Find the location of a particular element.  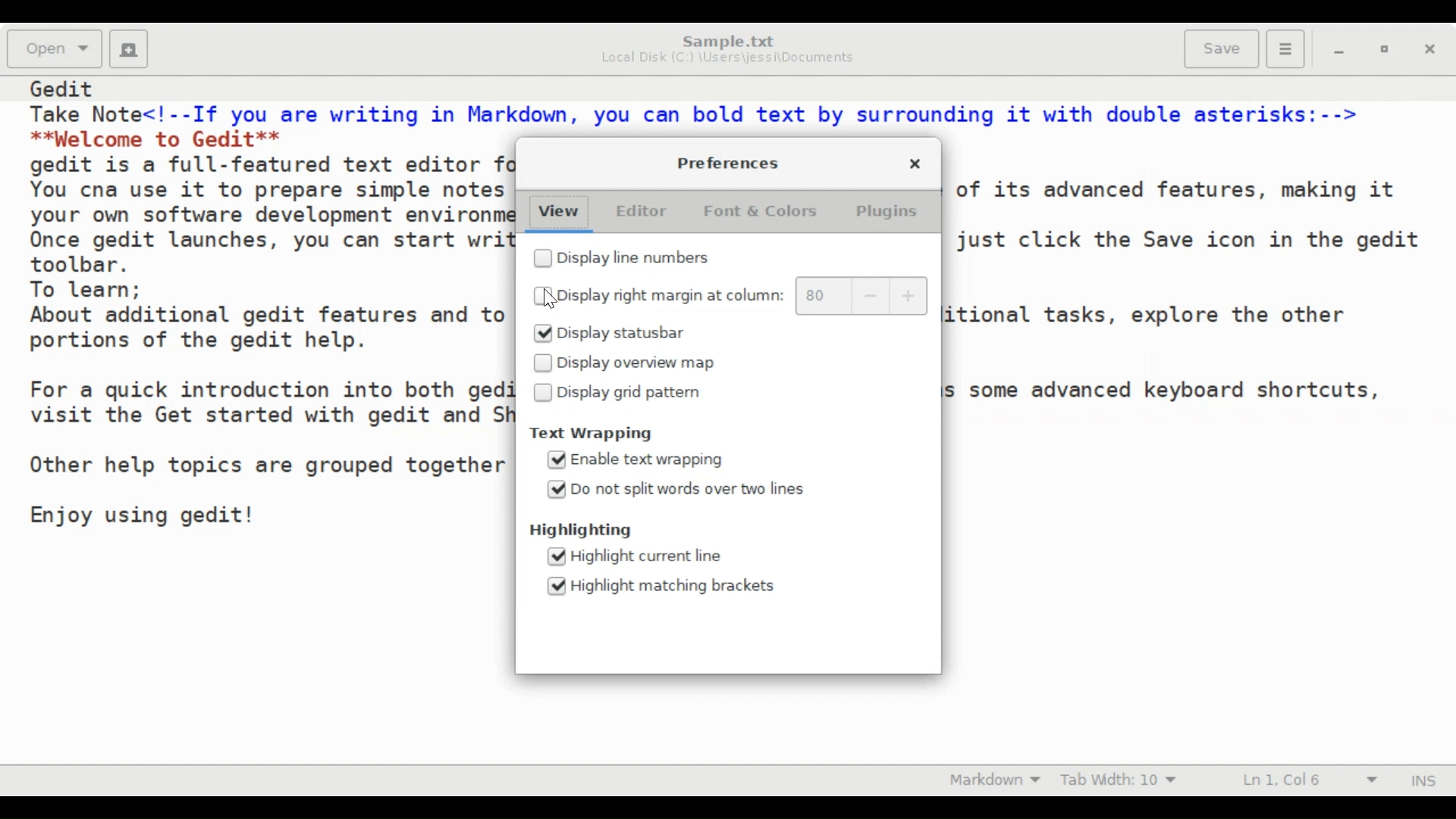

View is located at coordinates (562, 212).